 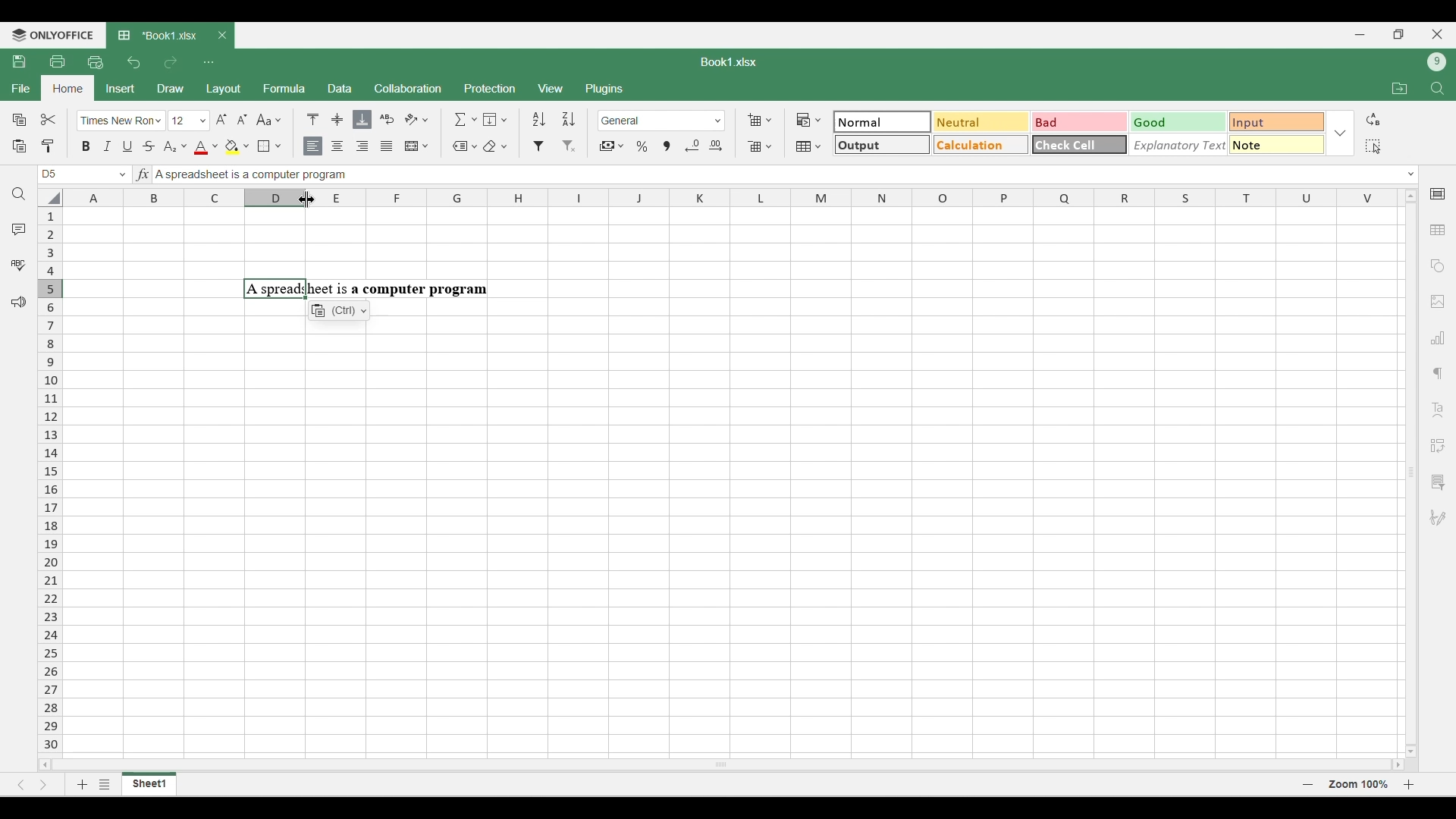 What do you see at coordinates (466, 119) in the screenshot?
I see `Summation options` at bounding box center [466, 119].